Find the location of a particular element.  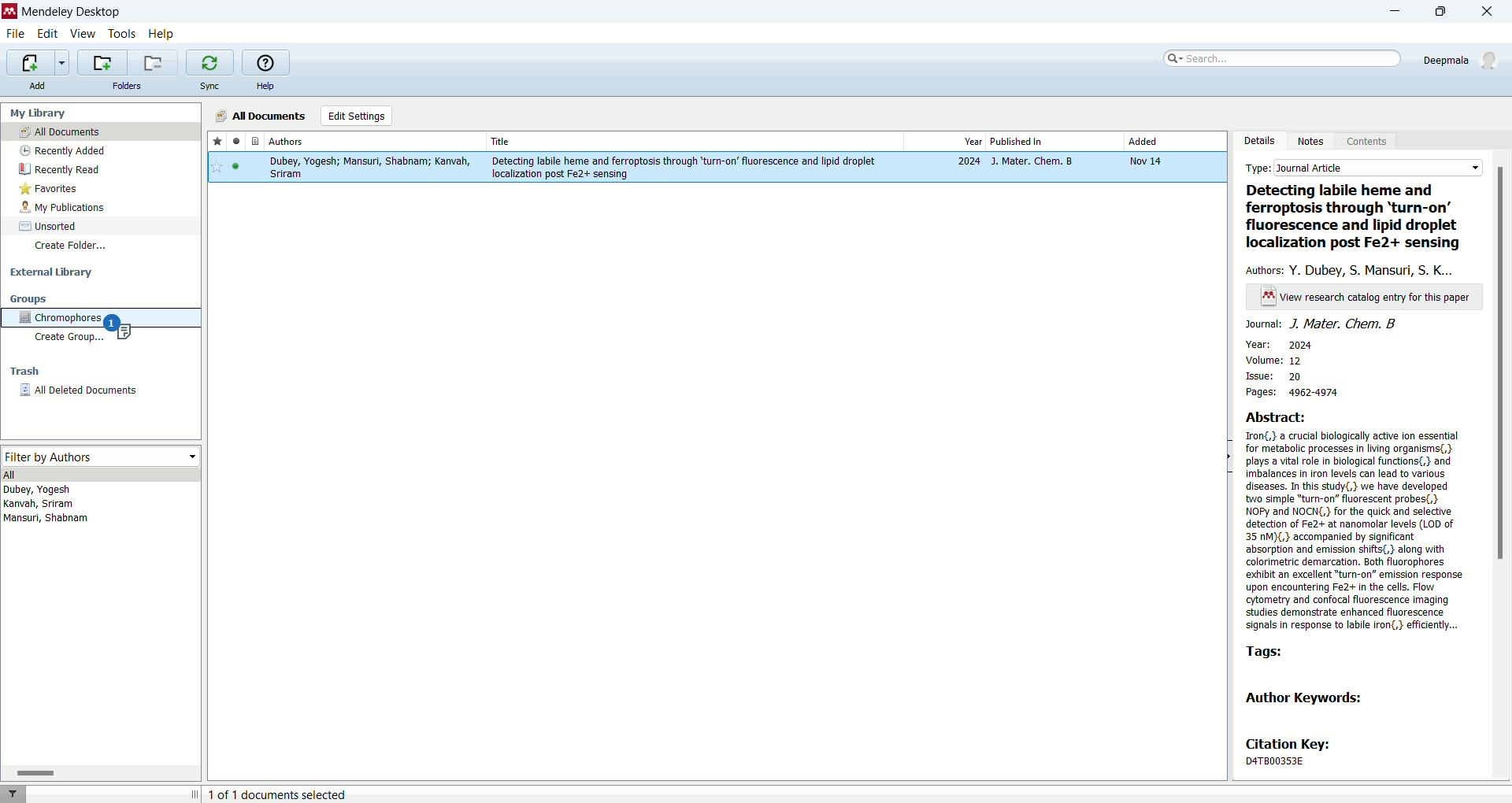

authors keywords: is located at coordinates (1306, 701).